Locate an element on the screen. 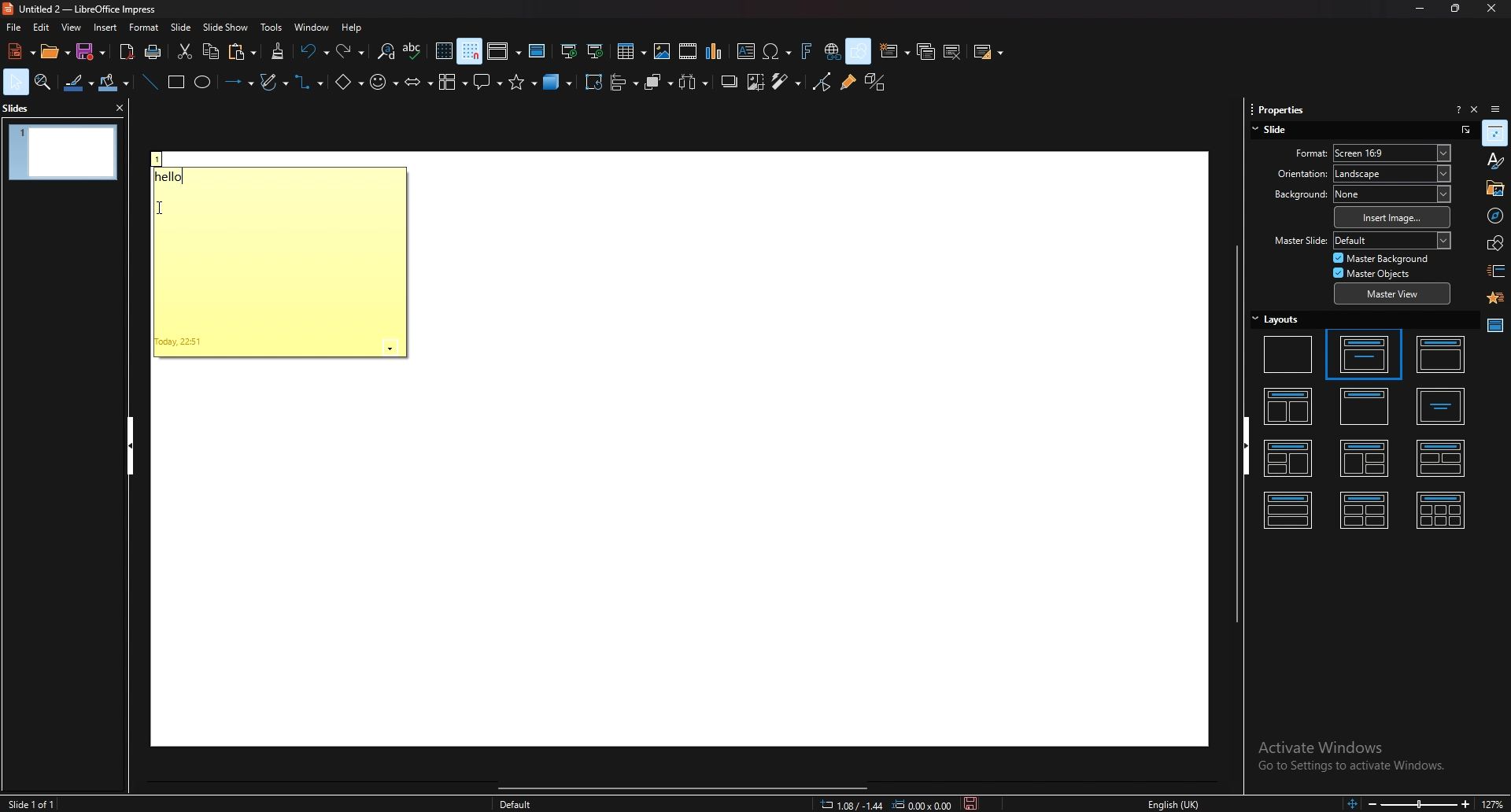 The image size is (1511, 812). title content is located at coordinates (1441, 355).